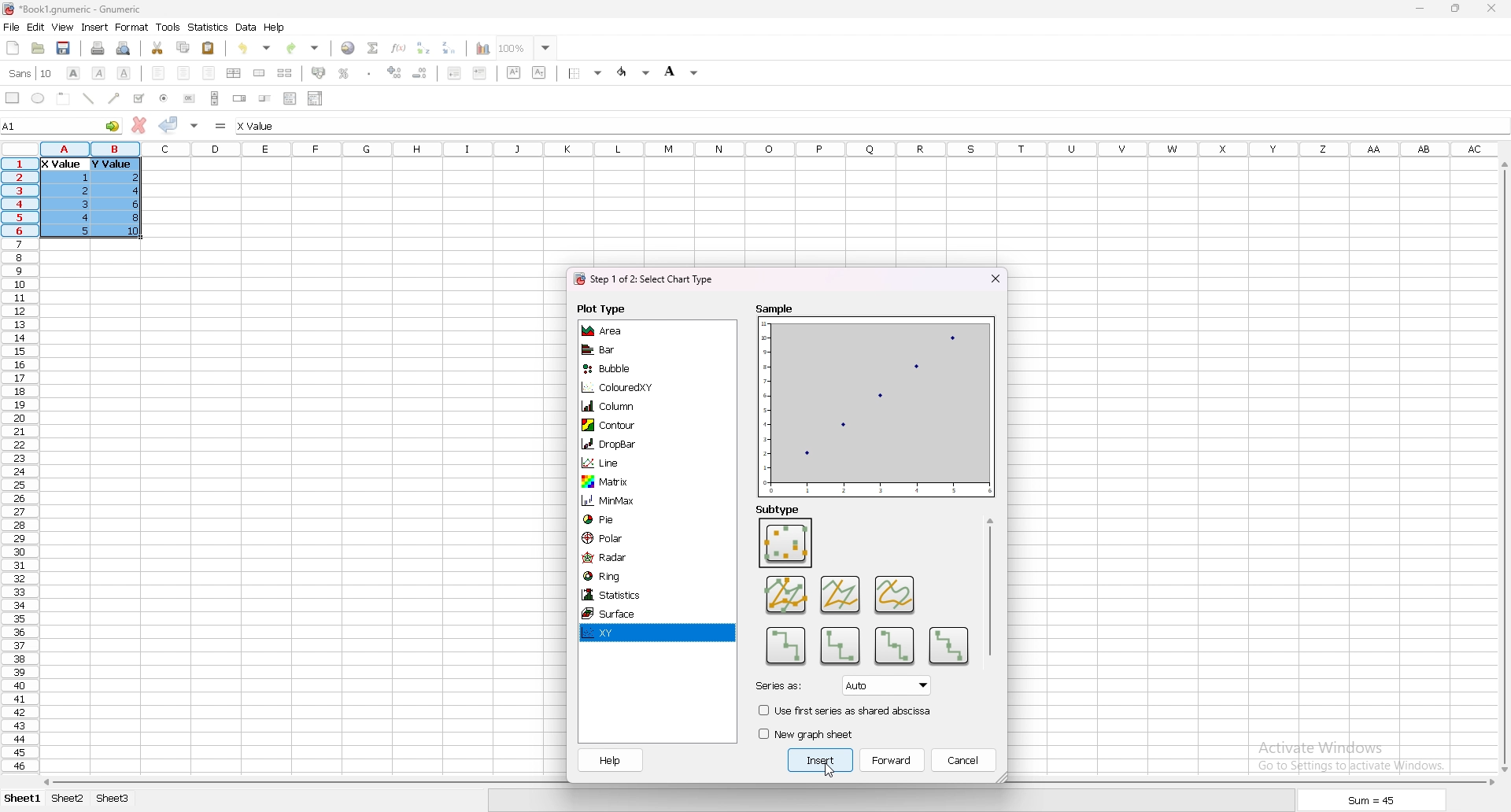 The width and height of the screenshot is (1511, 812). Describe the element at coordinates (315, 98) in the screenshot. I see `combo box` at that location.